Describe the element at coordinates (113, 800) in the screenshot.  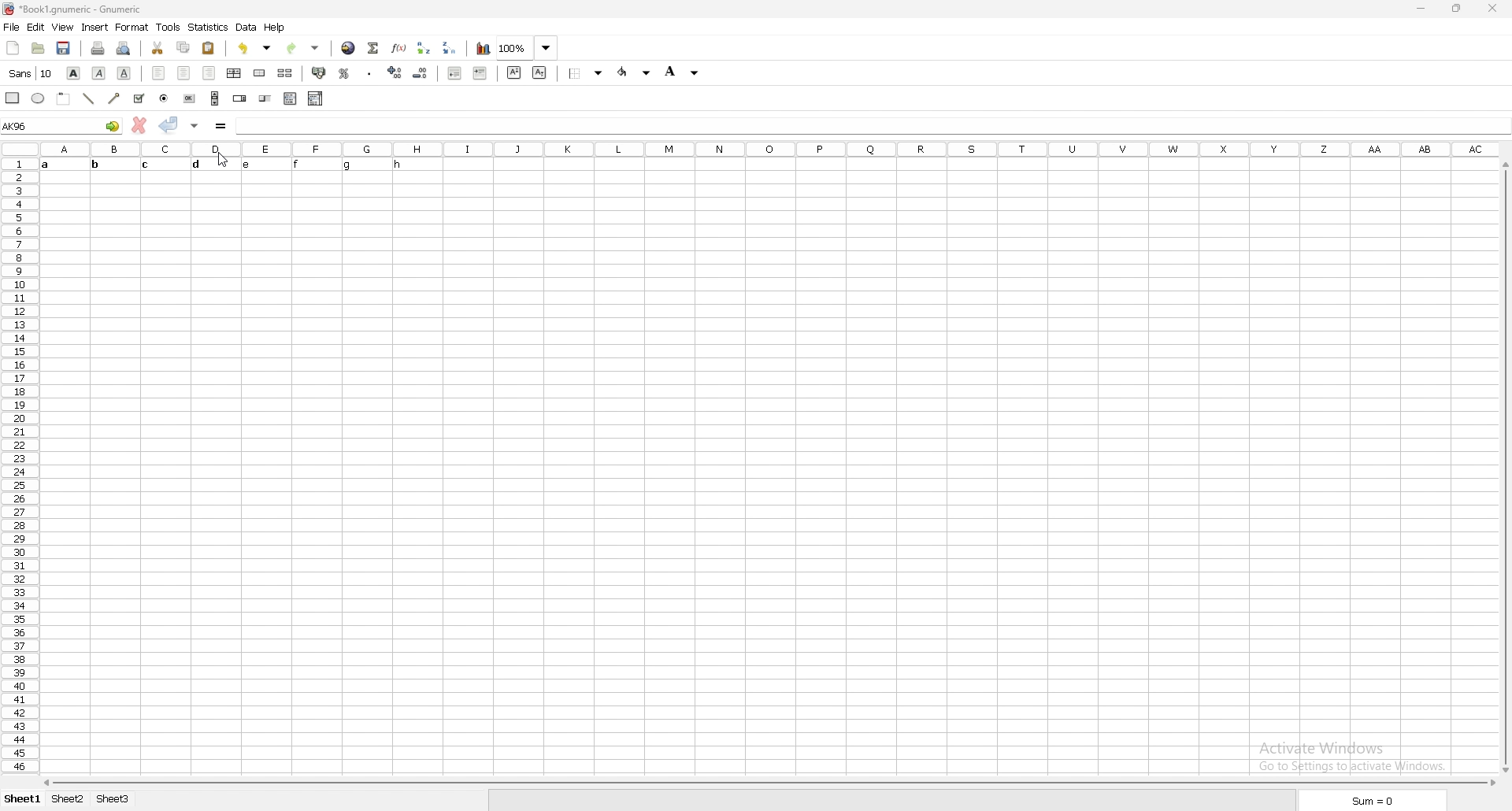
I see `sheet 3` at that location.